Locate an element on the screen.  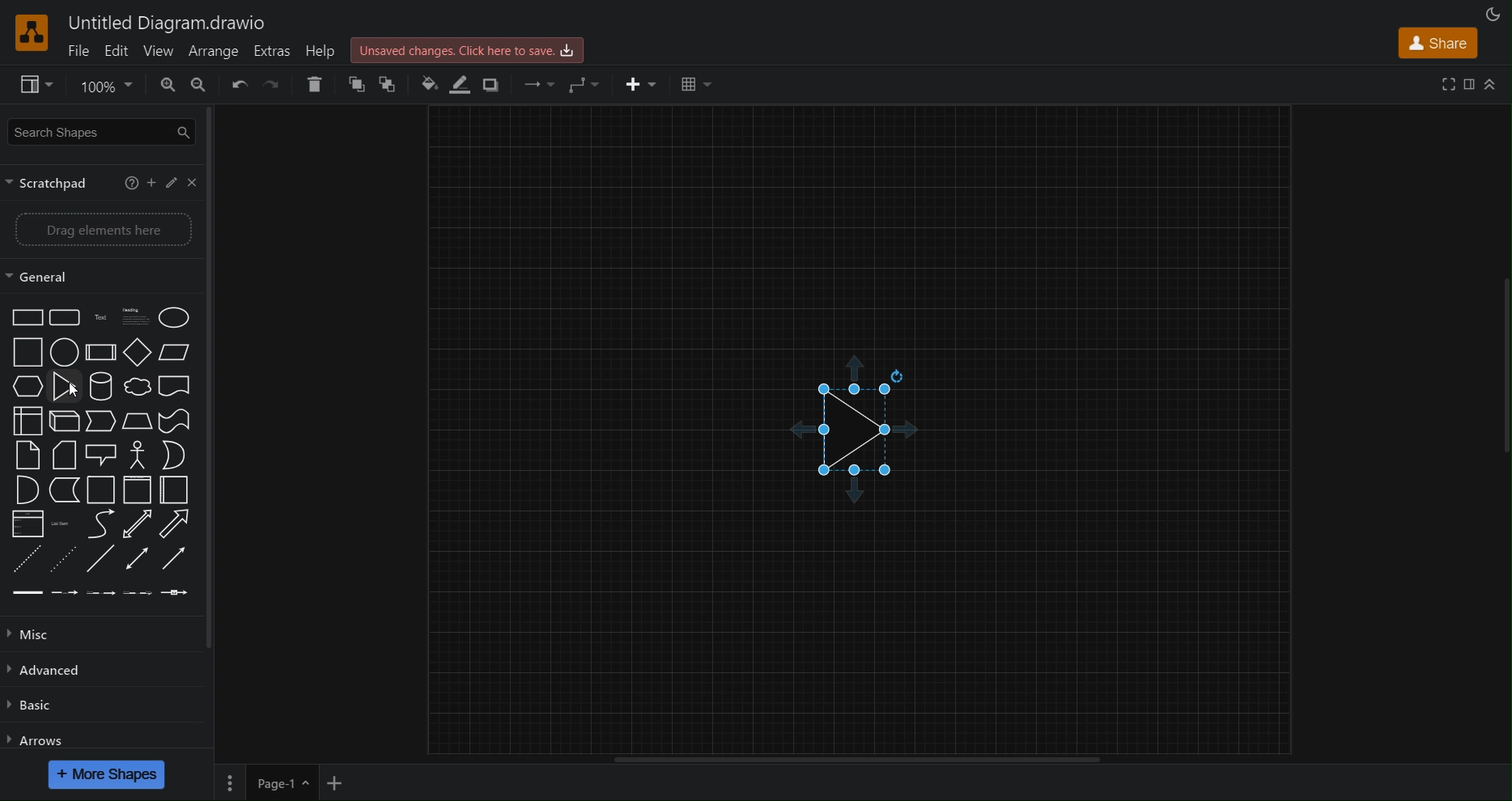
Add Page is located at coordinates (338, 782).